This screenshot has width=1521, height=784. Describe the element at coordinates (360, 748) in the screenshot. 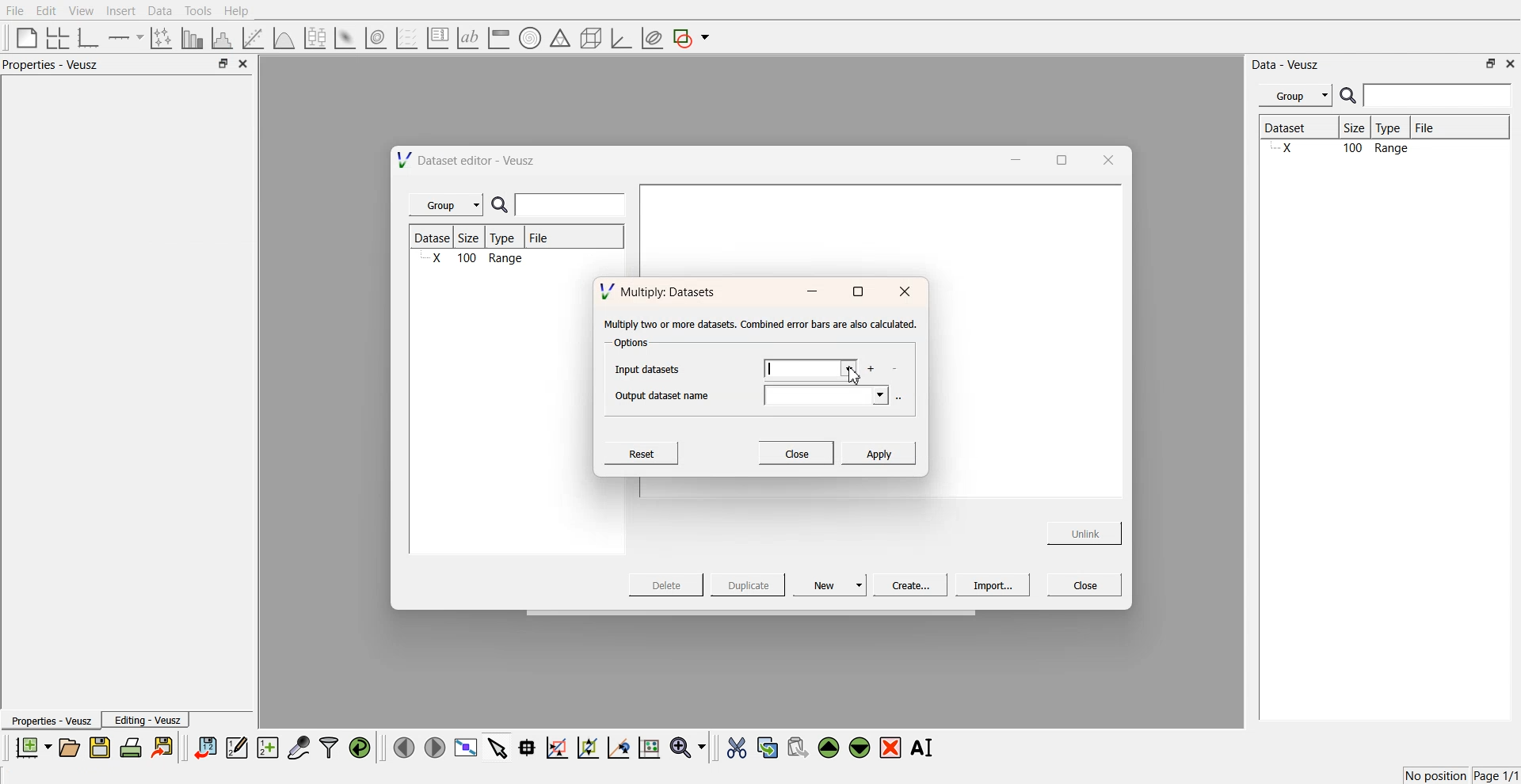

I see `reload the data points` at that location.